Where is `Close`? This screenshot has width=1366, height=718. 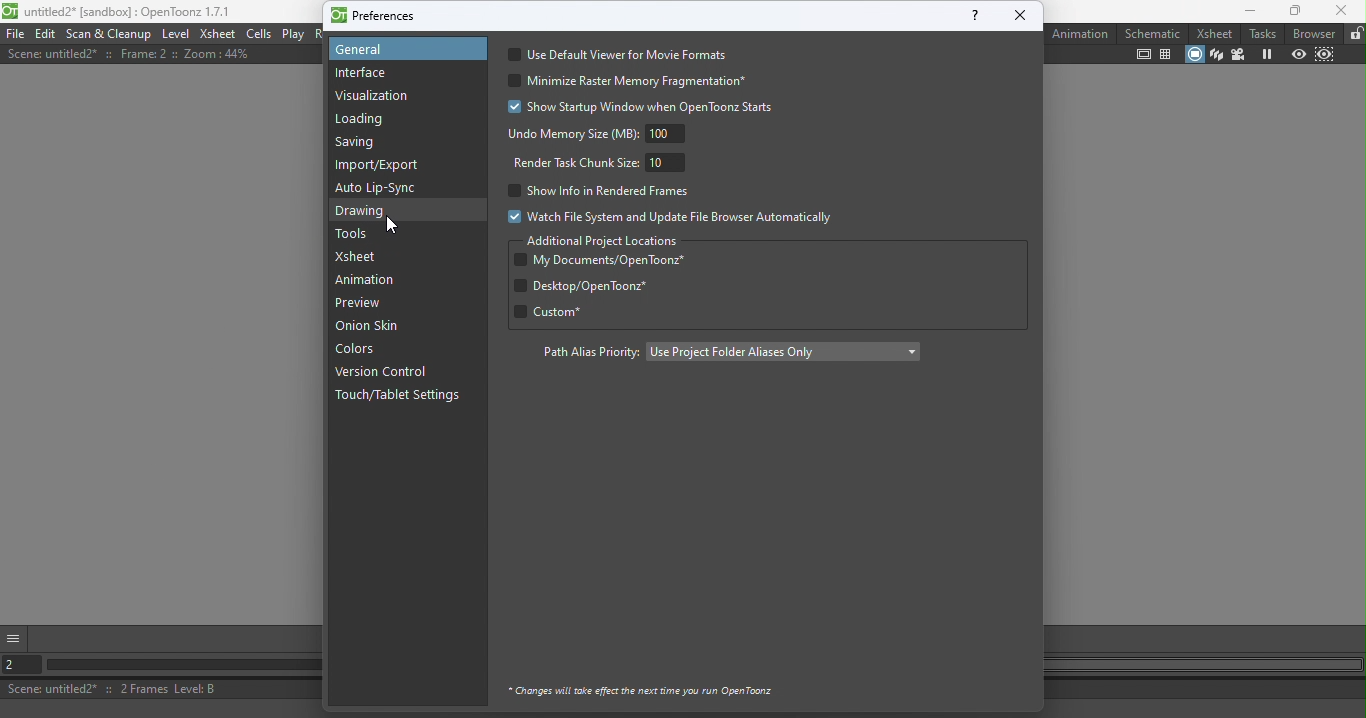
Close is located at coordinates (1341, 11).